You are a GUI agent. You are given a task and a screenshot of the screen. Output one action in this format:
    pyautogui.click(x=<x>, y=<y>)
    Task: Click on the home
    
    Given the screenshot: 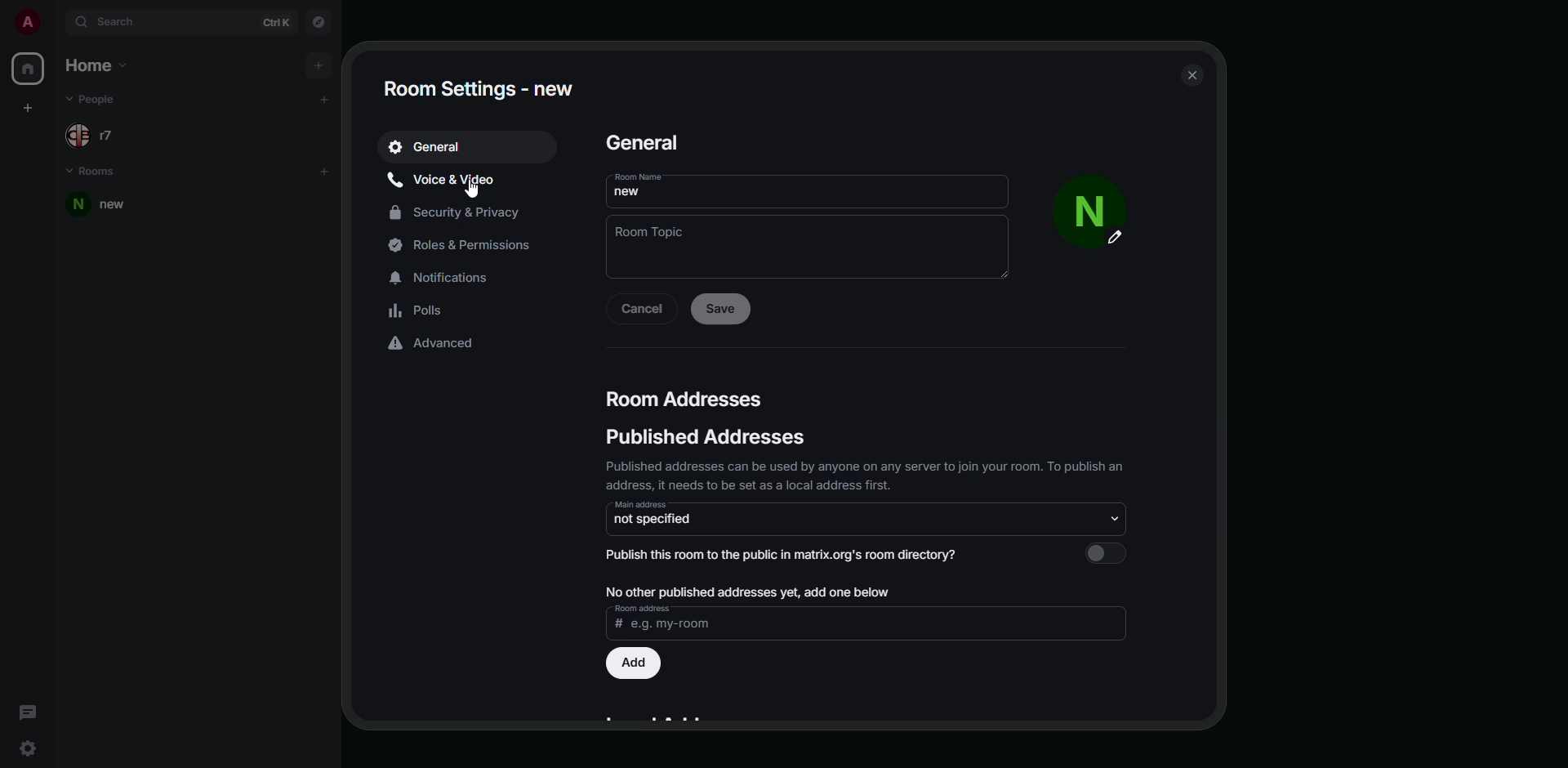 What is the action you would take?
    pyautogui.click(x=105, y=65)
    